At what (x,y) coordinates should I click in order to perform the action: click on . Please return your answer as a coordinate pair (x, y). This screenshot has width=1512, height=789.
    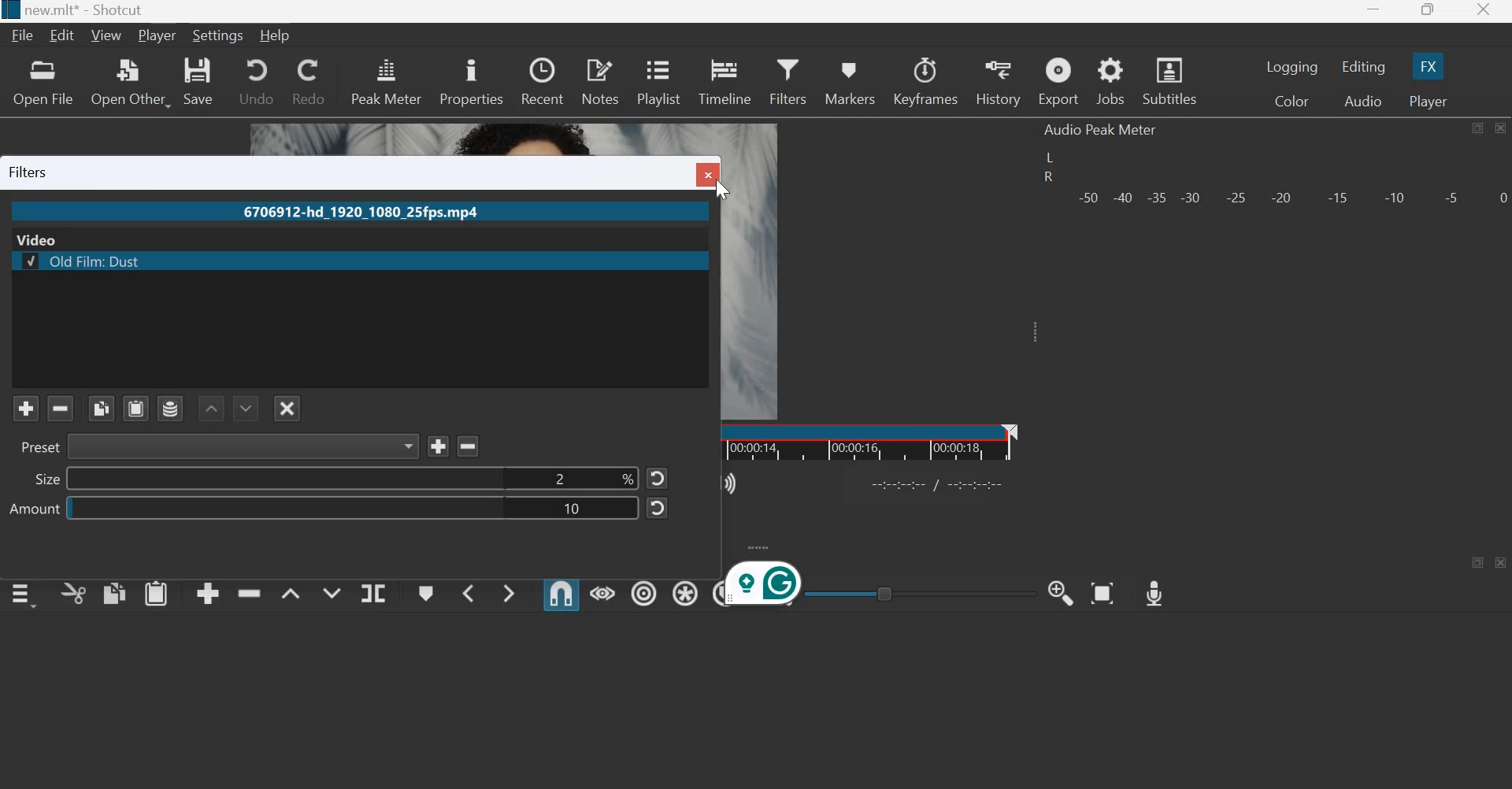
    Looking at the image, I should click on (939, 483).